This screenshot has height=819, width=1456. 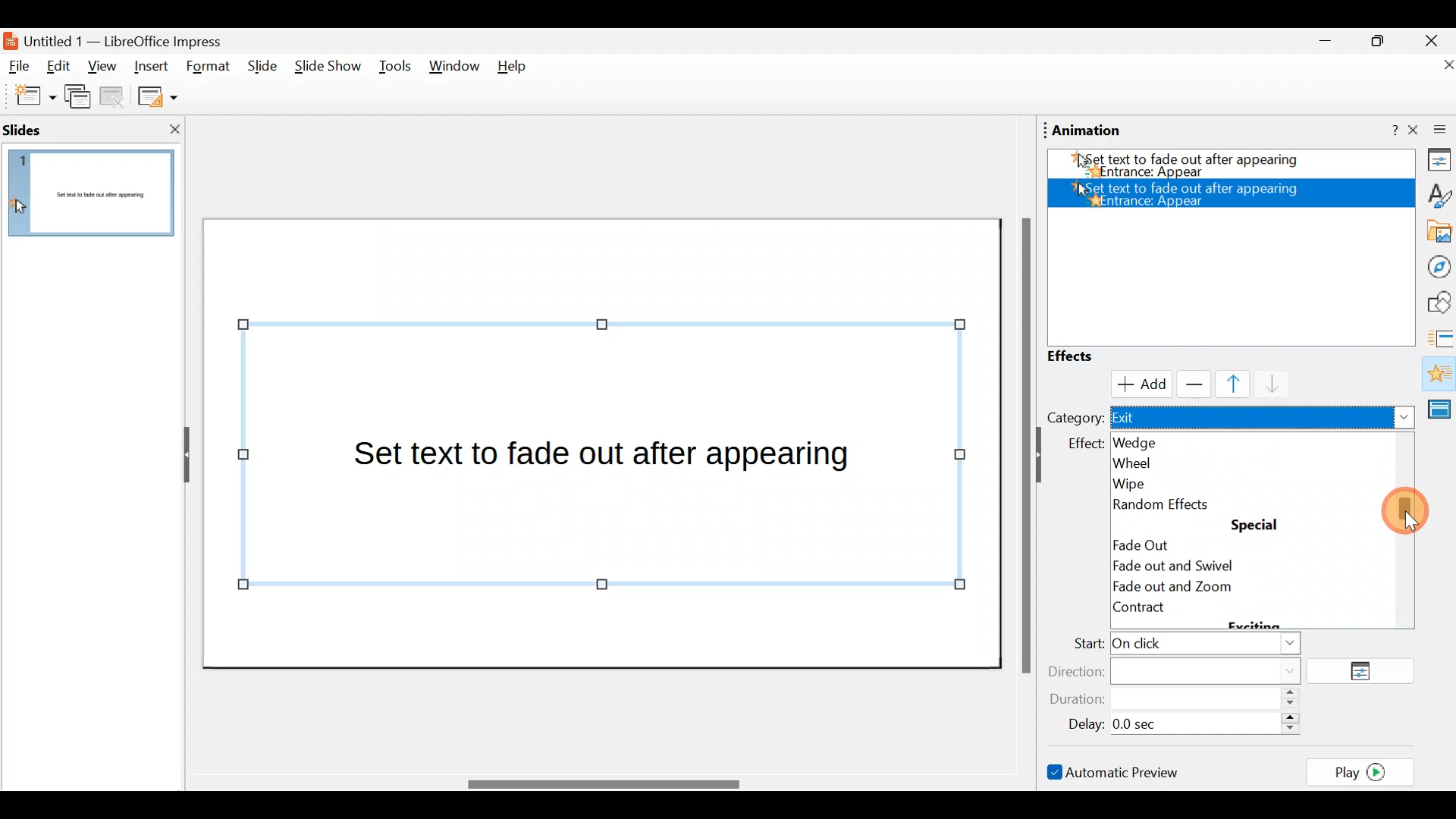 What do you see at coordinates (1164, 462) in the screenshot?
I see `Wheel` at bounding box center [1164, 462].